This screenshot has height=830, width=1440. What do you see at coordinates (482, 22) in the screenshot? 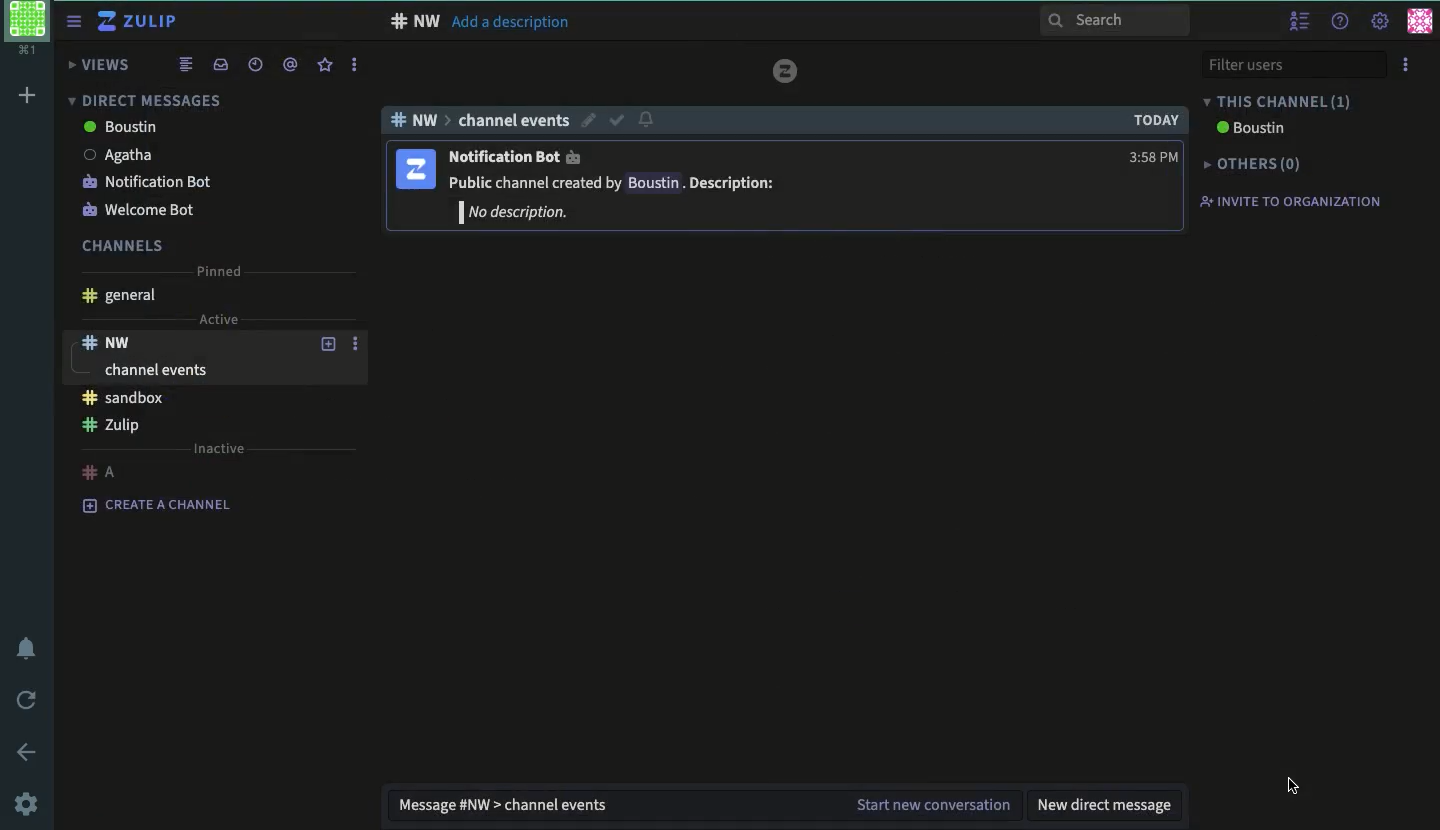
I see `# NW Add a description` at bounding box center [482, 22].